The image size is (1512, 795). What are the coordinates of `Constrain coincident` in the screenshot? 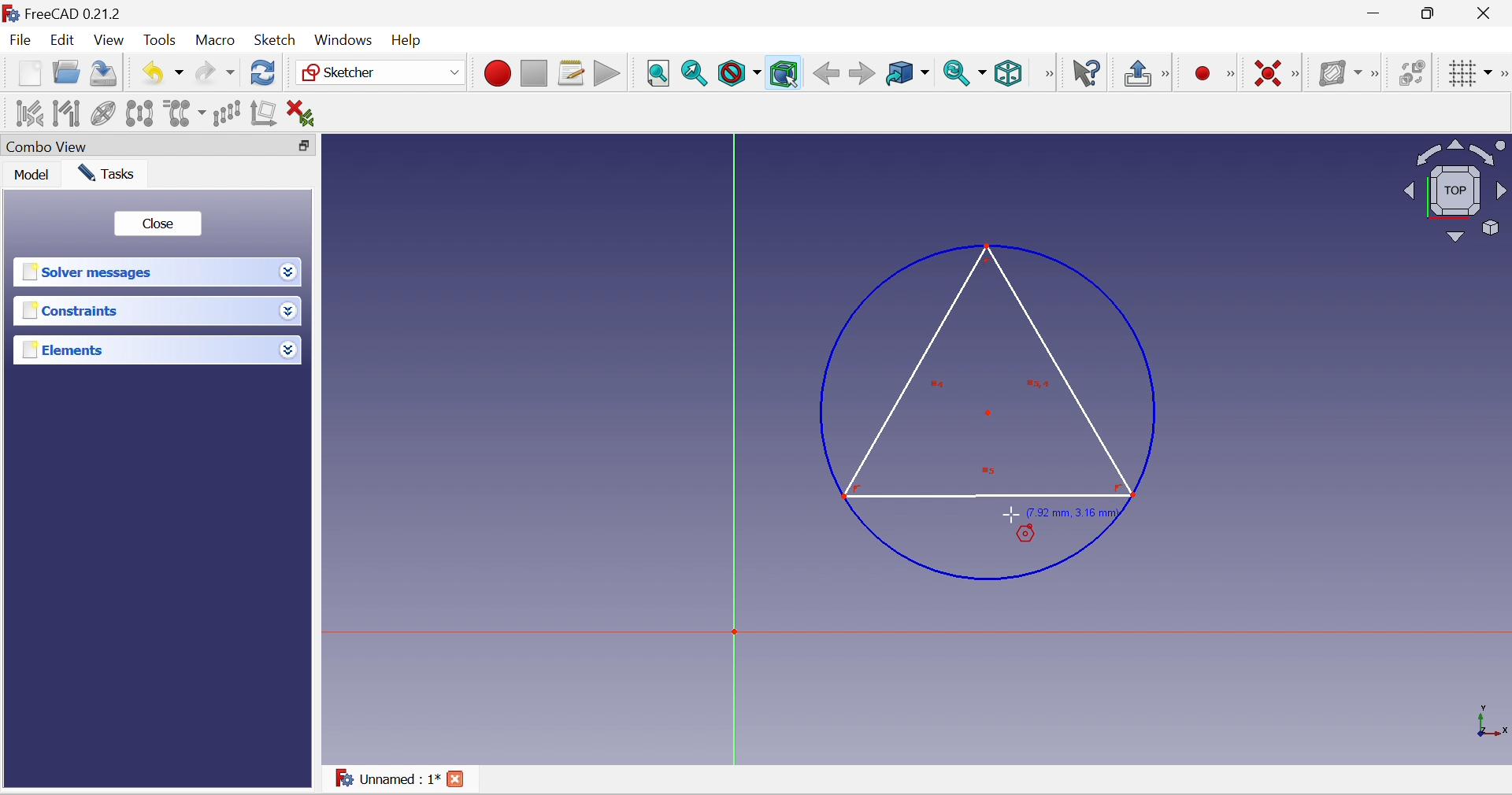 It's located at (1269, 74).